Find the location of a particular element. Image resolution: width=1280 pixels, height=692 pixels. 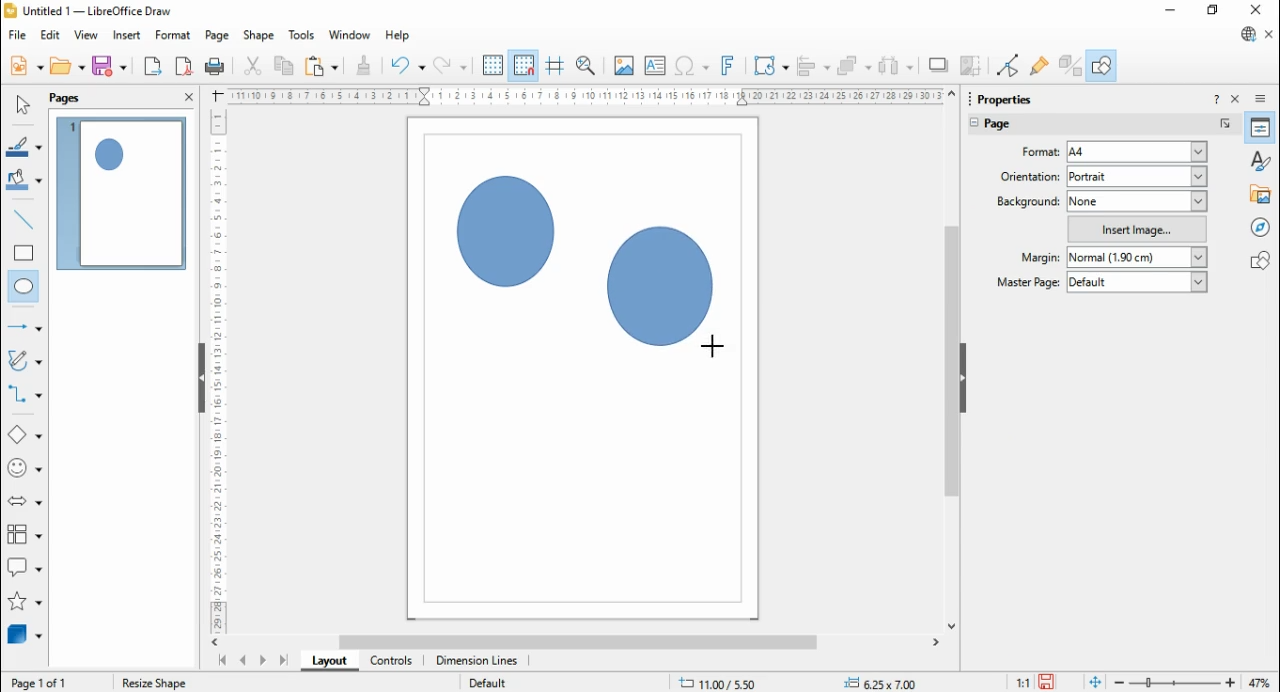

export directly as PDF is located at coordinates (183, 66).